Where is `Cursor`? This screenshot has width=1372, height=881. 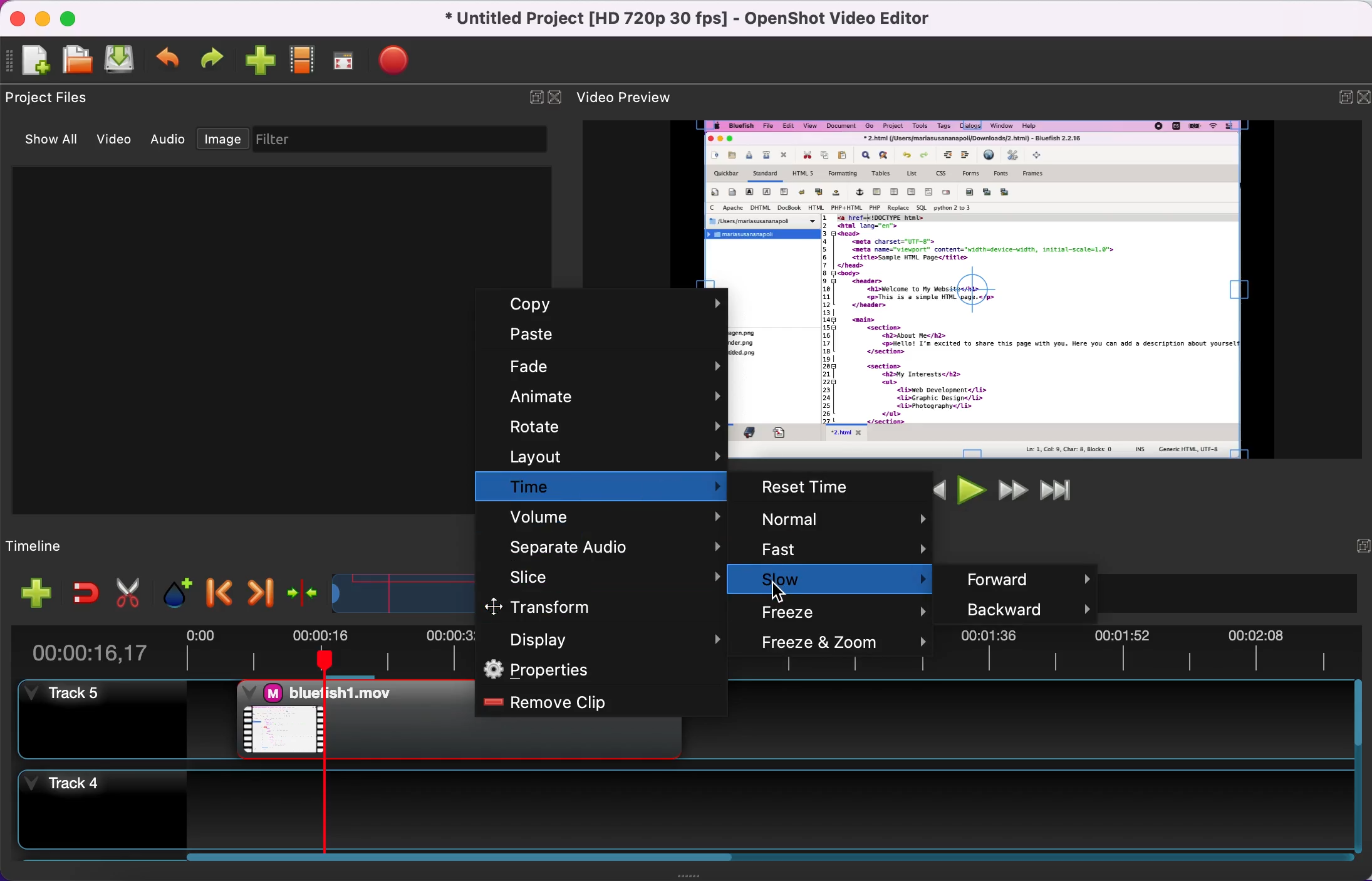 Cursor is located at coordinates (780, 592).